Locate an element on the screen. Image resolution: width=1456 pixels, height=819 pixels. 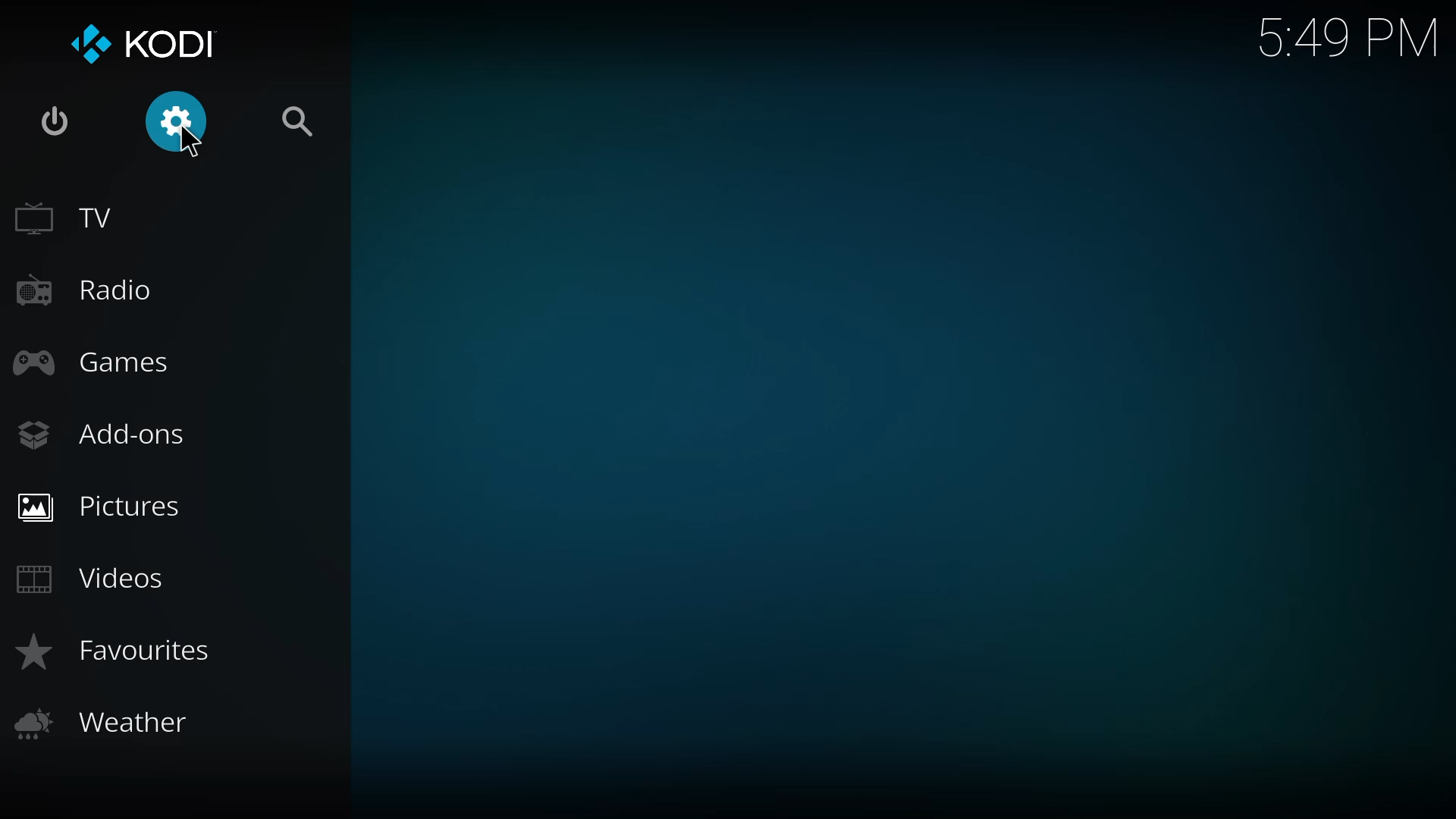
power is located at coordinates (57, 121).